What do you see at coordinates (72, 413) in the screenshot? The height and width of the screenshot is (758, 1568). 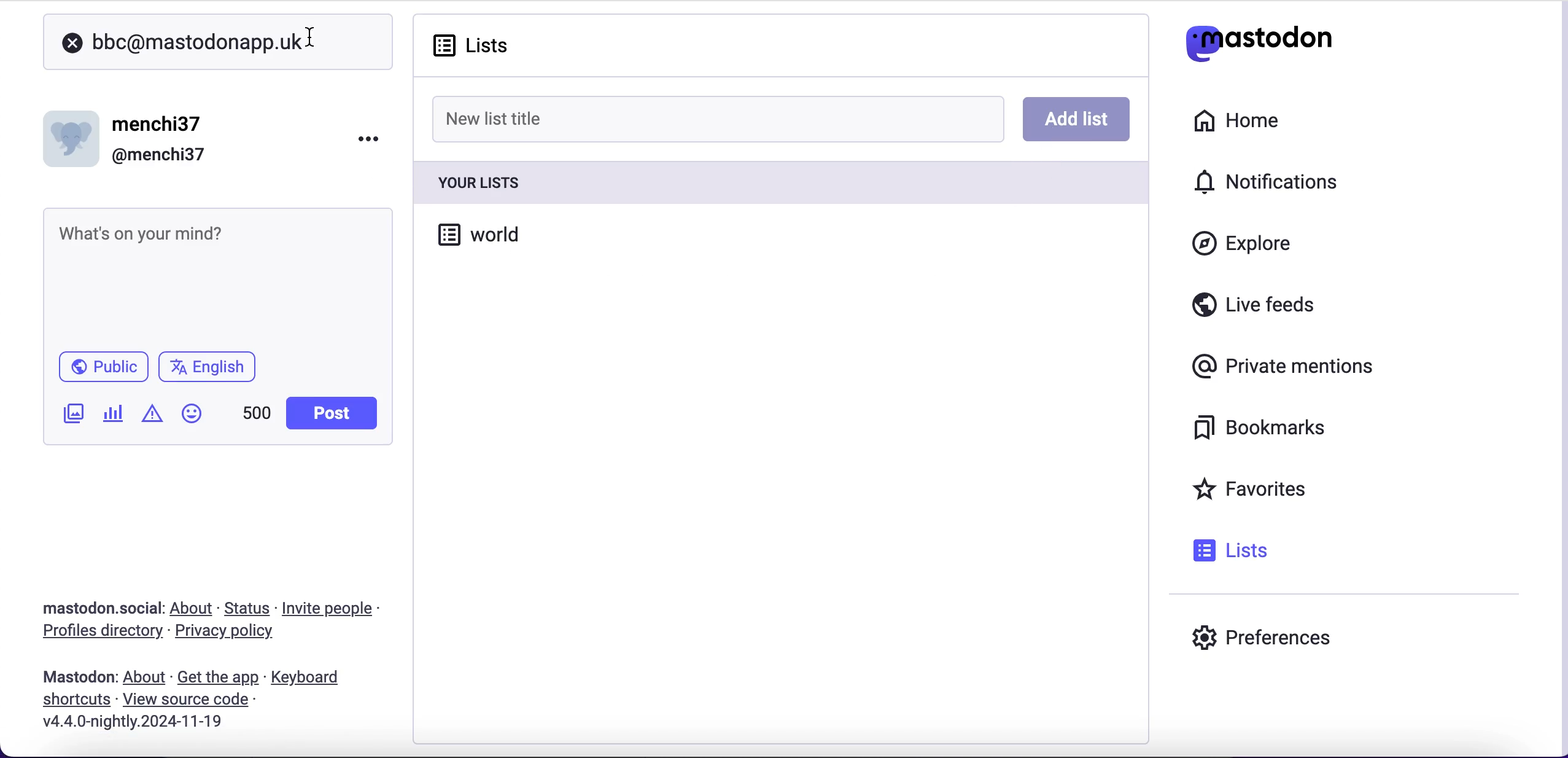 I see `add an image` at bounding box center [72, 413].